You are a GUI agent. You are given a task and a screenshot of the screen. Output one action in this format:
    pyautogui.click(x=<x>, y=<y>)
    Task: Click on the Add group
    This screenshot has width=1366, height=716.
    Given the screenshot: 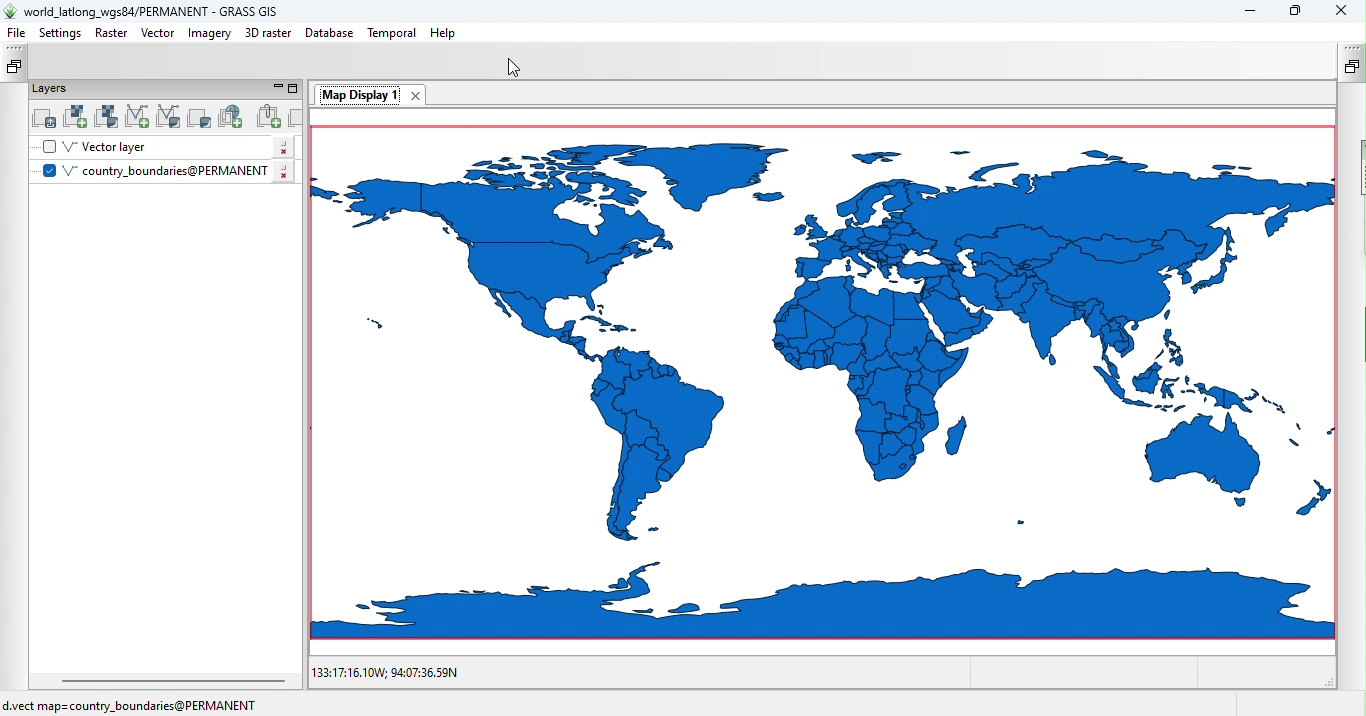 What is the action you would take?
    pyautogui.click(x=267, y=118)
    